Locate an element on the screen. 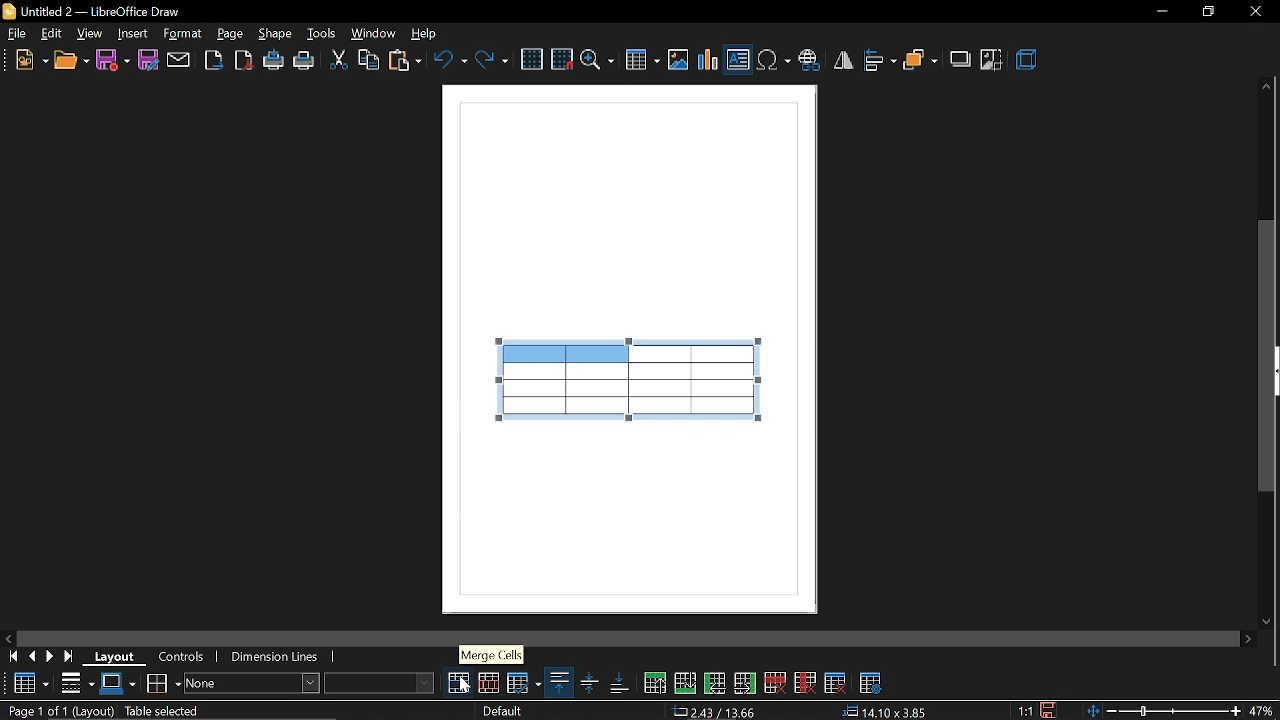 The image size is (1280, 720). Move up is located at coordinates (1266, 84).